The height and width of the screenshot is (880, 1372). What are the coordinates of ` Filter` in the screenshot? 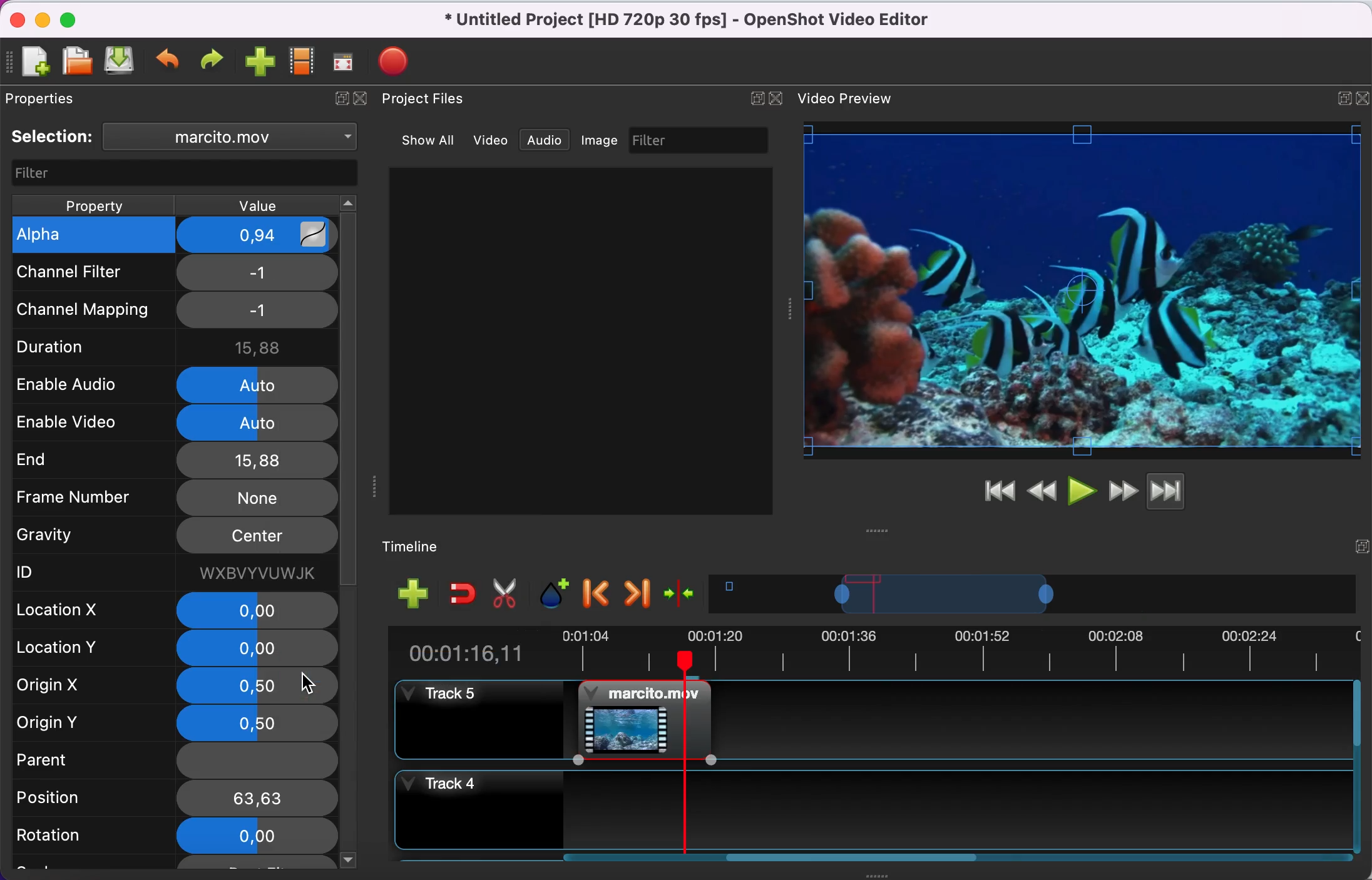 It's located at (658, 139).